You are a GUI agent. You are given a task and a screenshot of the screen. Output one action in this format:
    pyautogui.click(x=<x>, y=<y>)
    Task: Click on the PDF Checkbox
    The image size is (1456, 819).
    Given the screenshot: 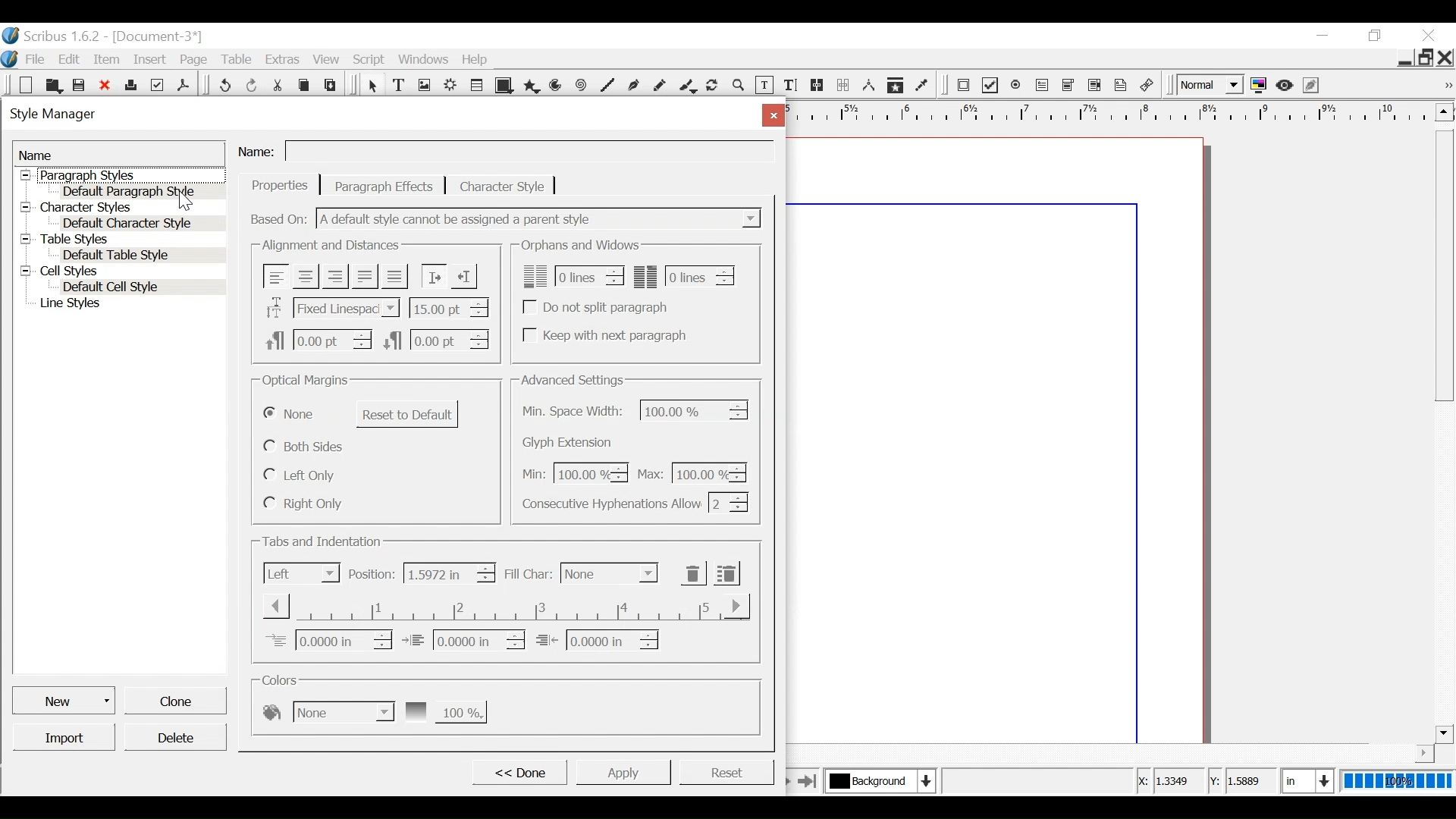 What is the action you would take?
    pyautogui.click(x=990, y=86)
    